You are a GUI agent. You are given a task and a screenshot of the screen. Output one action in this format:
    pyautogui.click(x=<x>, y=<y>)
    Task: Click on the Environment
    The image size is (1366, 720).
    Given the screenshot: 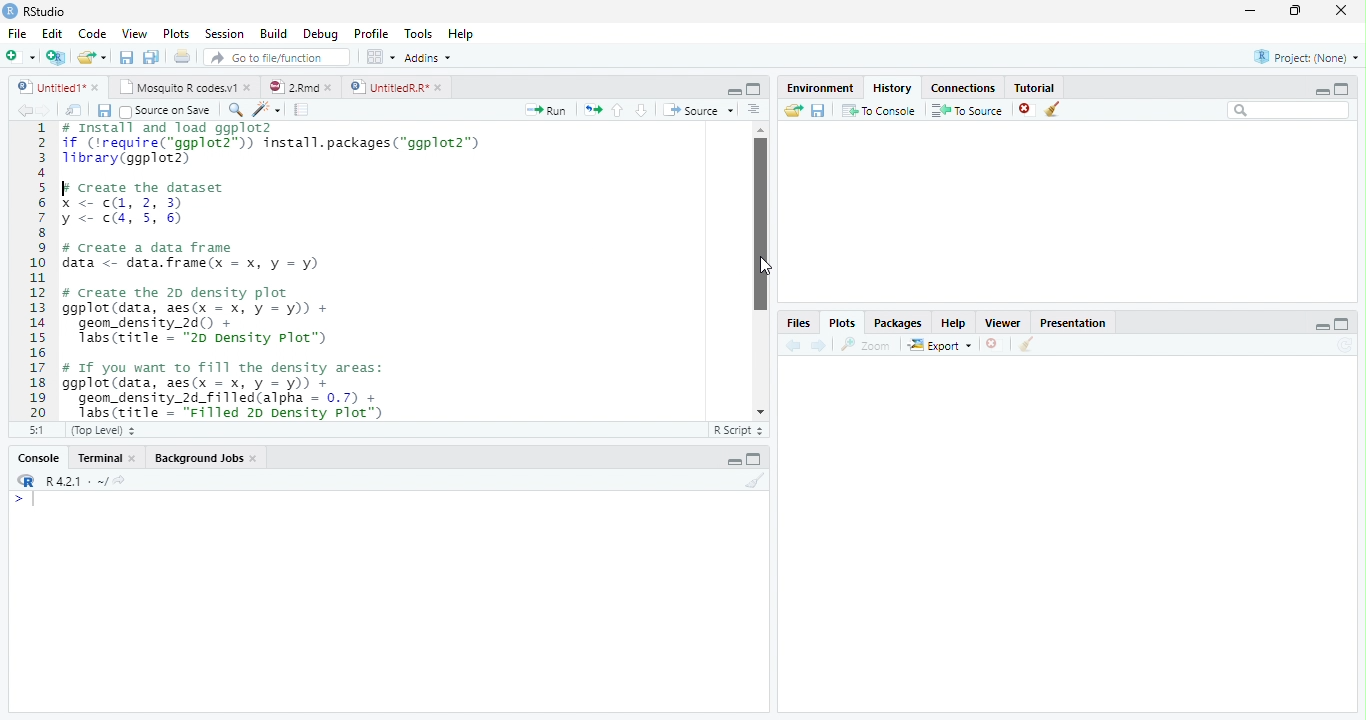 What is the action you would take?
    pyautogui.click(x=818, y=88)
    